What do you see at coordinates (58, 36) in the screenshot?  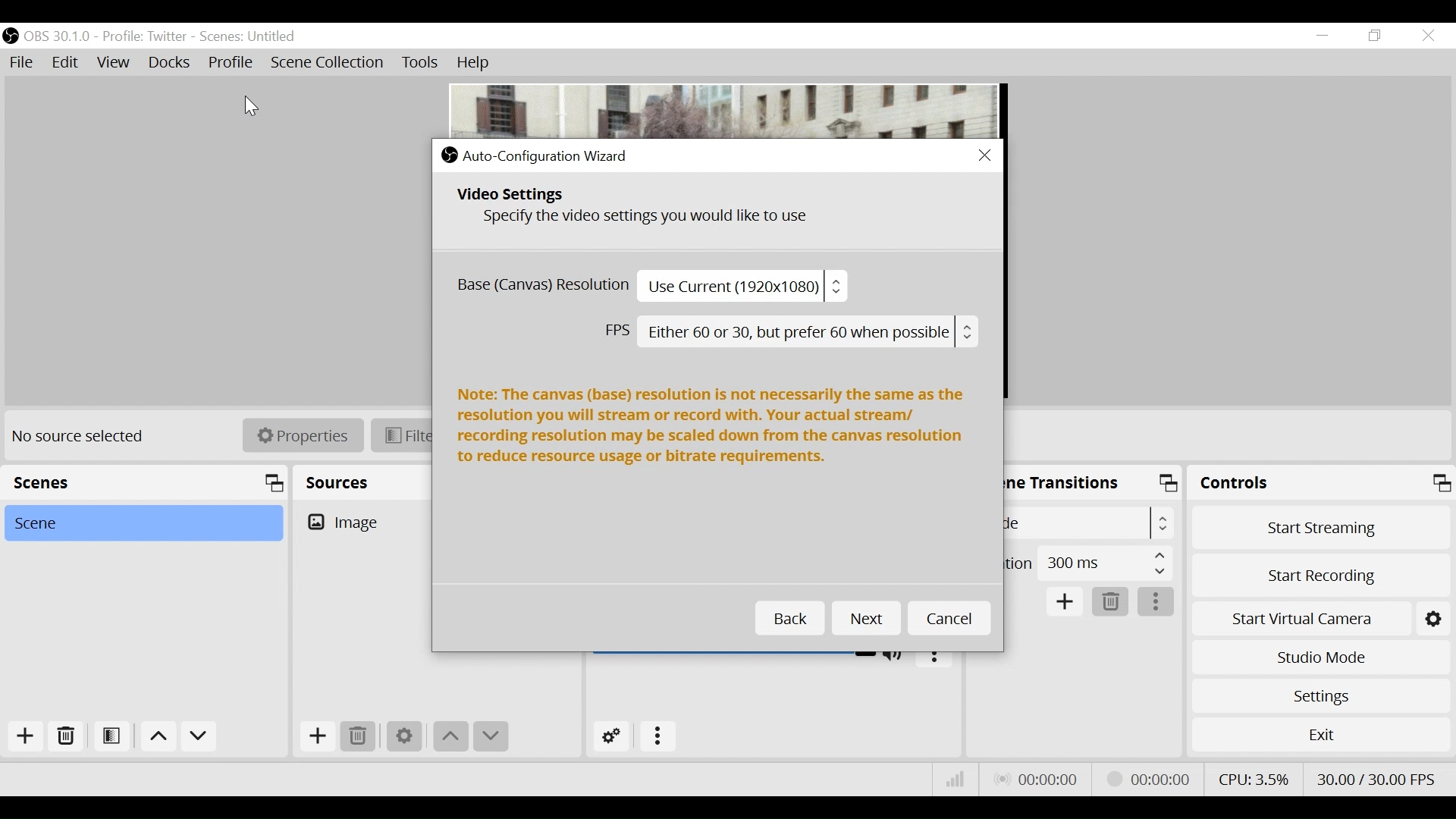 I see `OBS Version` at bounding box center [58, 36].